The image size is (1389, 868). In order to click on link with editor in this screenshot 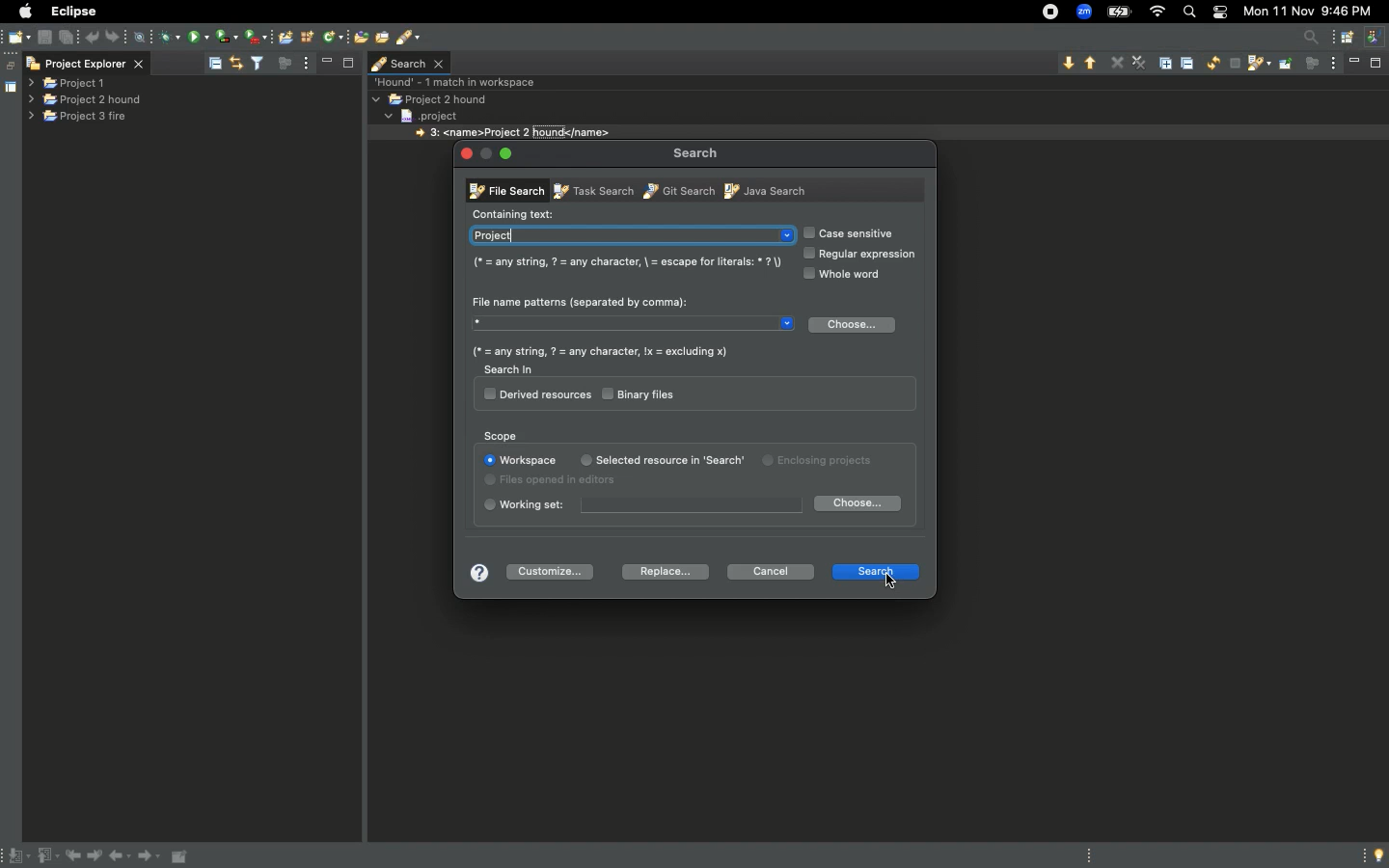, I will do `click(238, 62)`.